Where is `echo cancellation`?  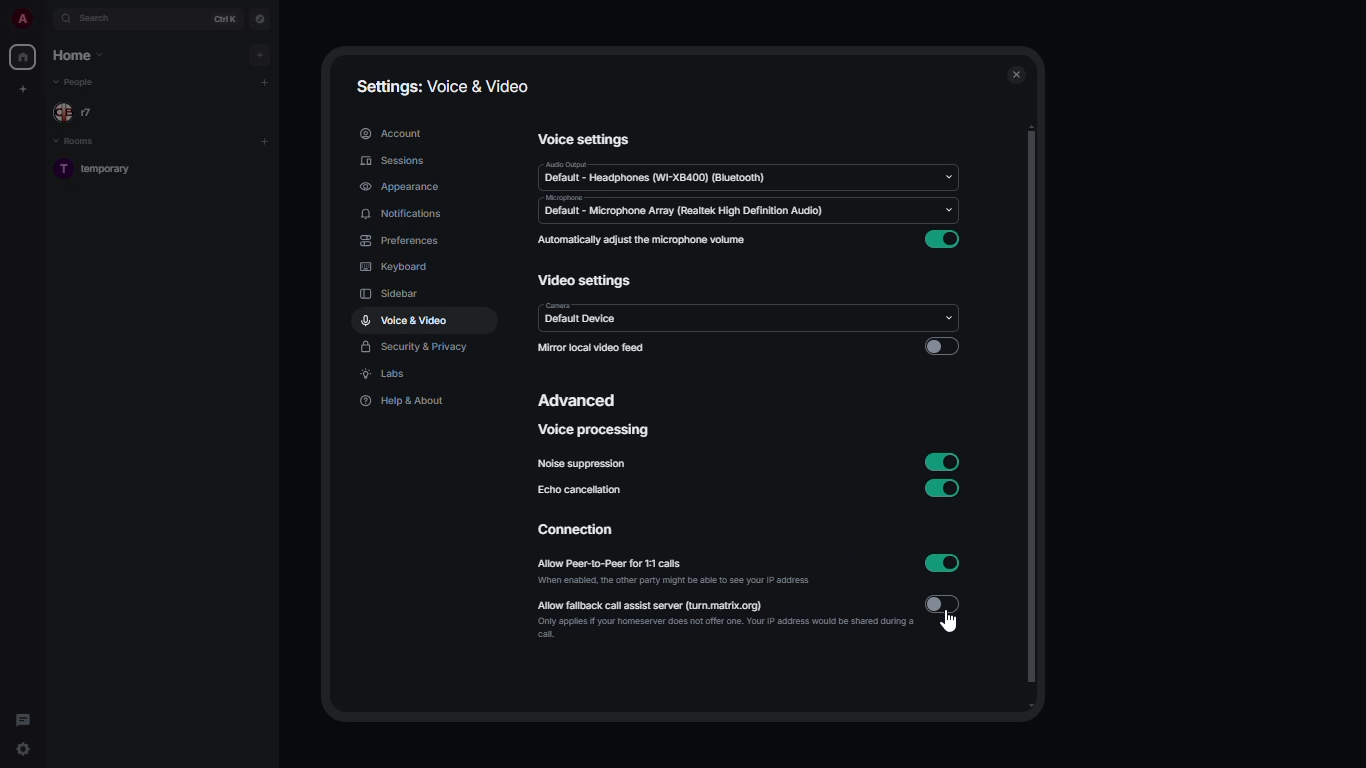
echo cancellation is located at coordinates (583, 493).